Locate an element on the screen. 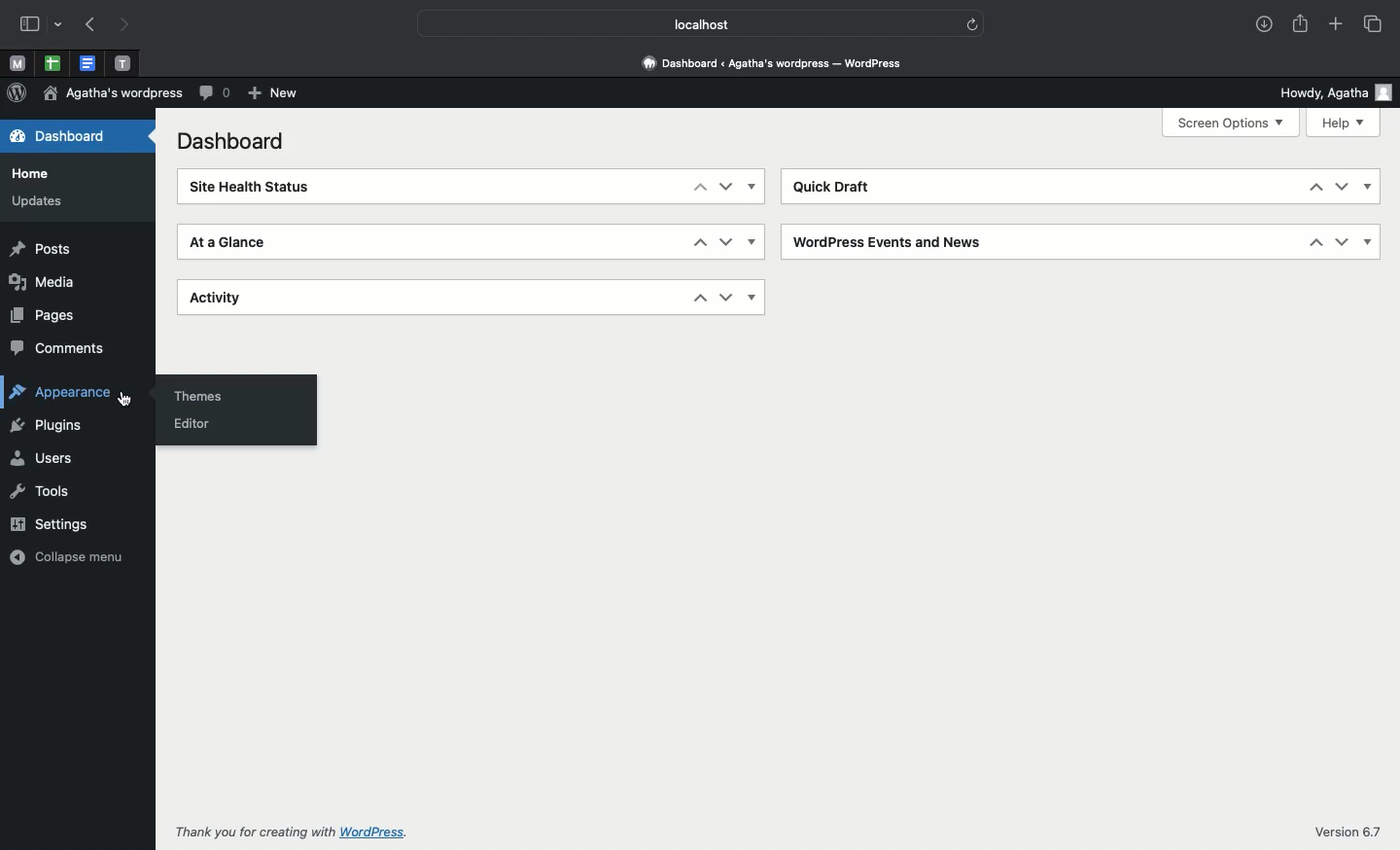  Share is located at coordinates (1302, 23).